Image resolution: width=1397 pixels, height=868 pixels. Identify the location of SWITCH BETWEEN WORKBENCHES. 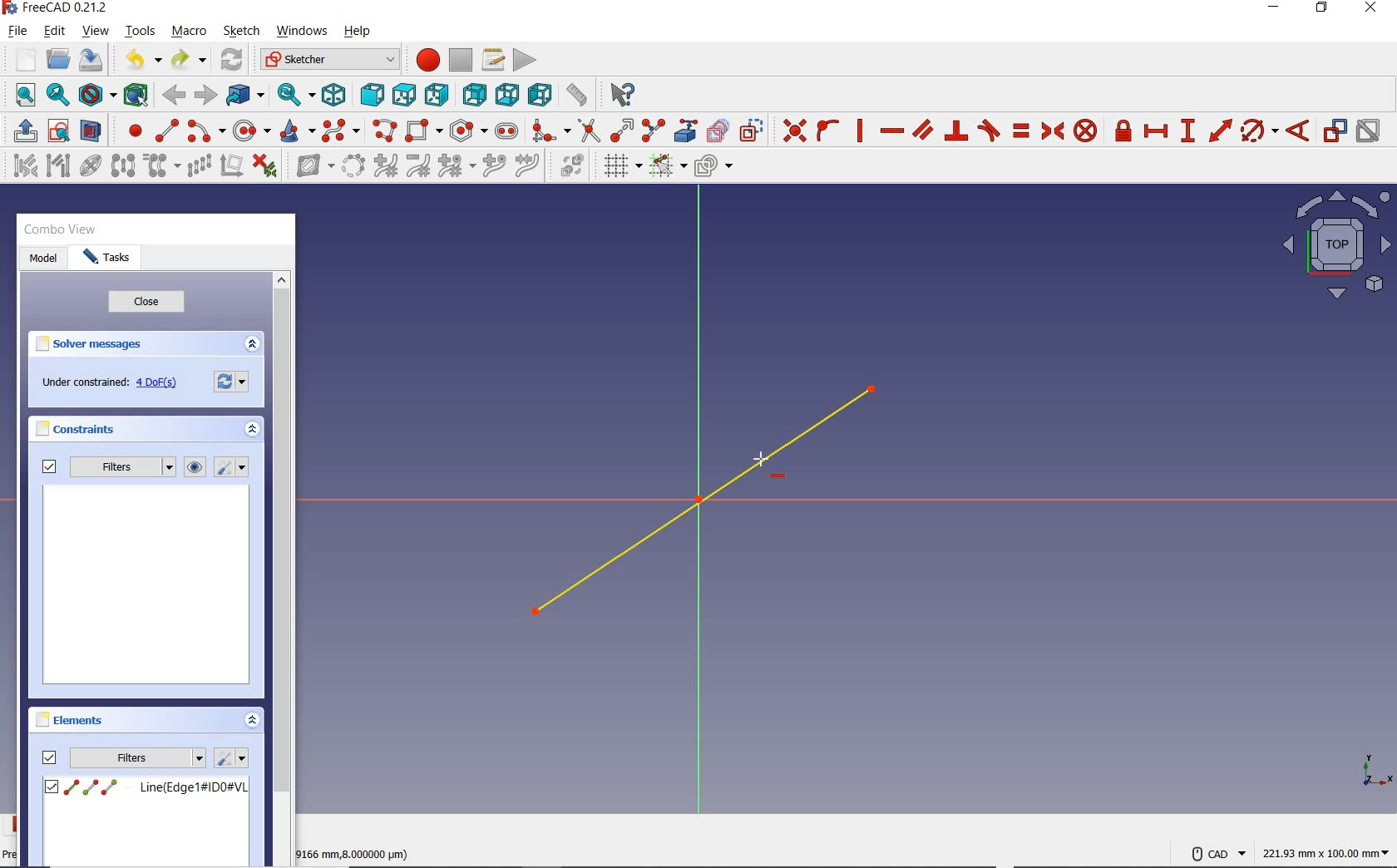
(330, 59).